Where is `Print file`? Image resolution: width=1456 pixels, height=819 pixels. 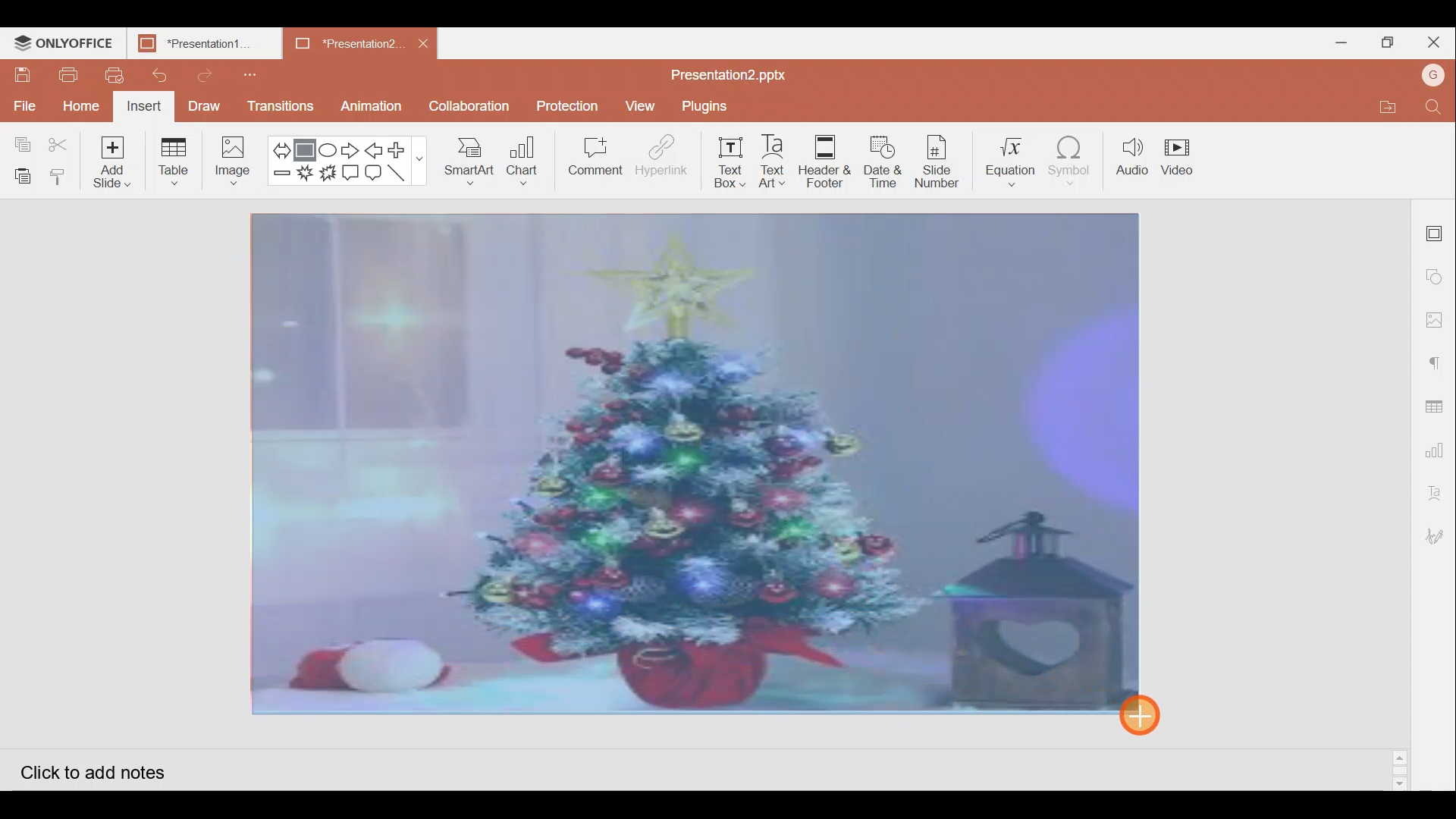 Print file is located at coordinates (62, 76).